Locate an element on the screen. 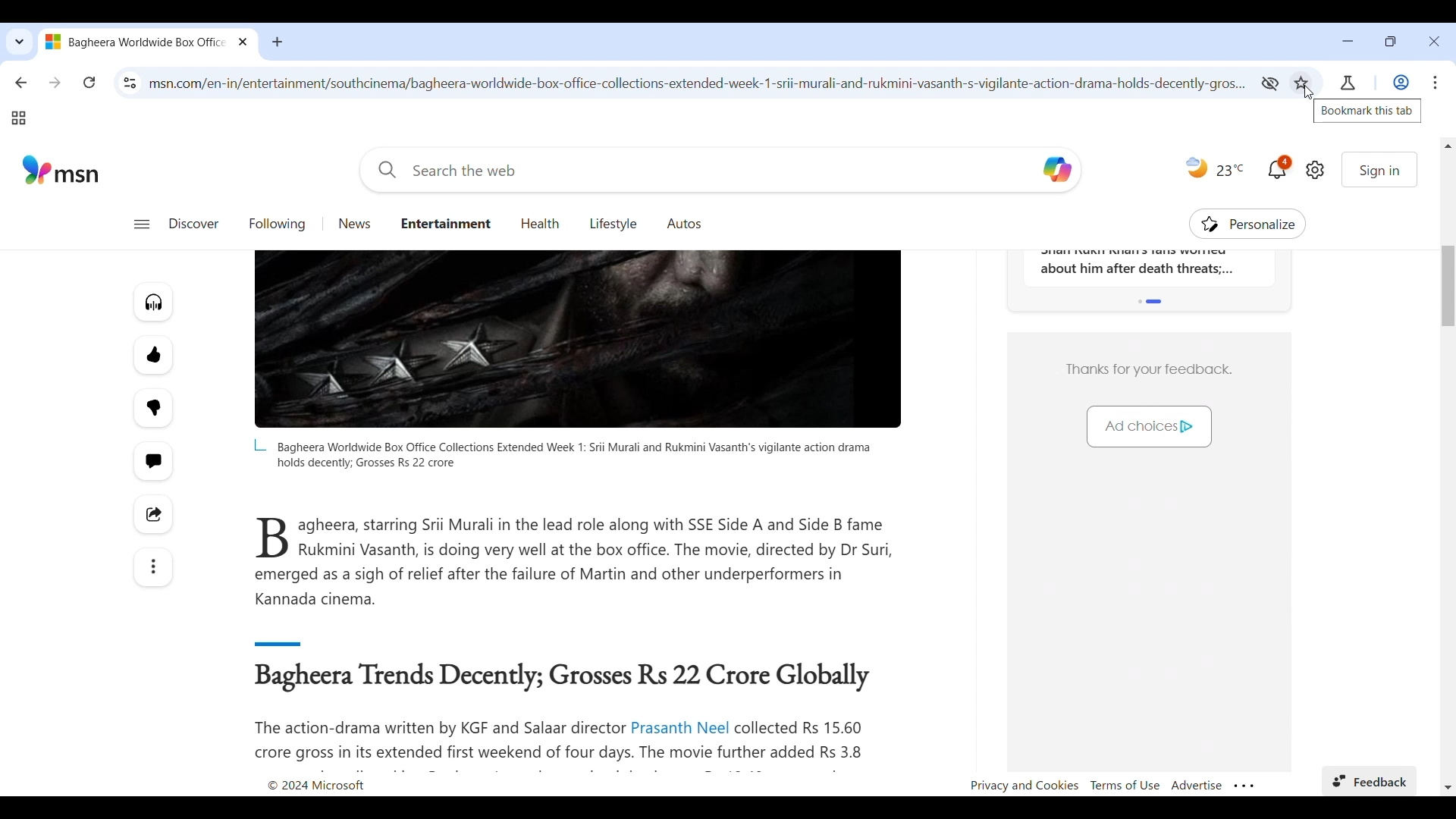 Image resolution: width=1456 pixels, height=819 pixels. Terms of use is located at coordinates (1125, 785).